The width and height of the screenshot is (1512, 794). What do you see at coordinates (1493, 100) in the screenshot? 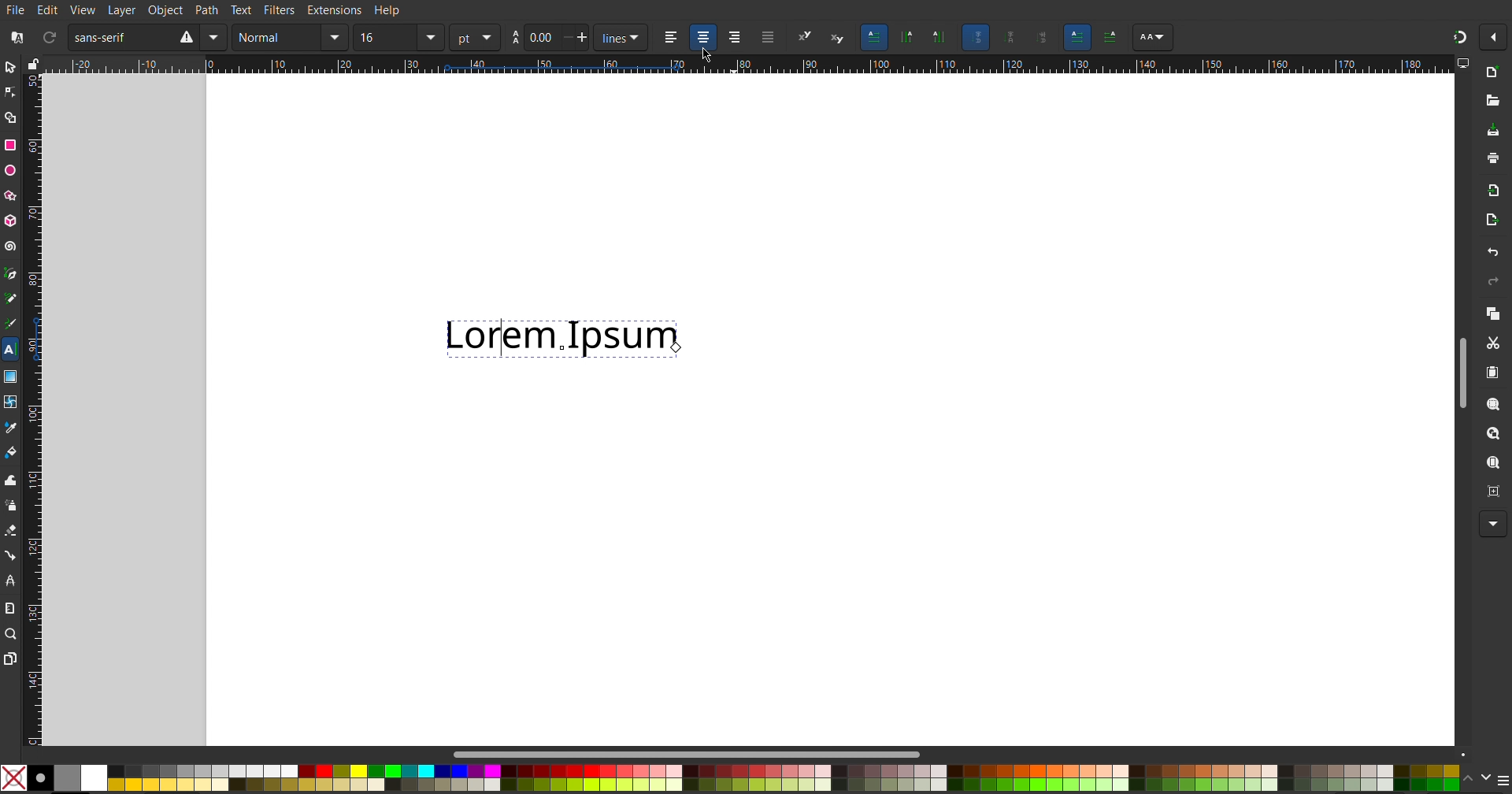
I see `Open` at bounding box center [1493, 100].